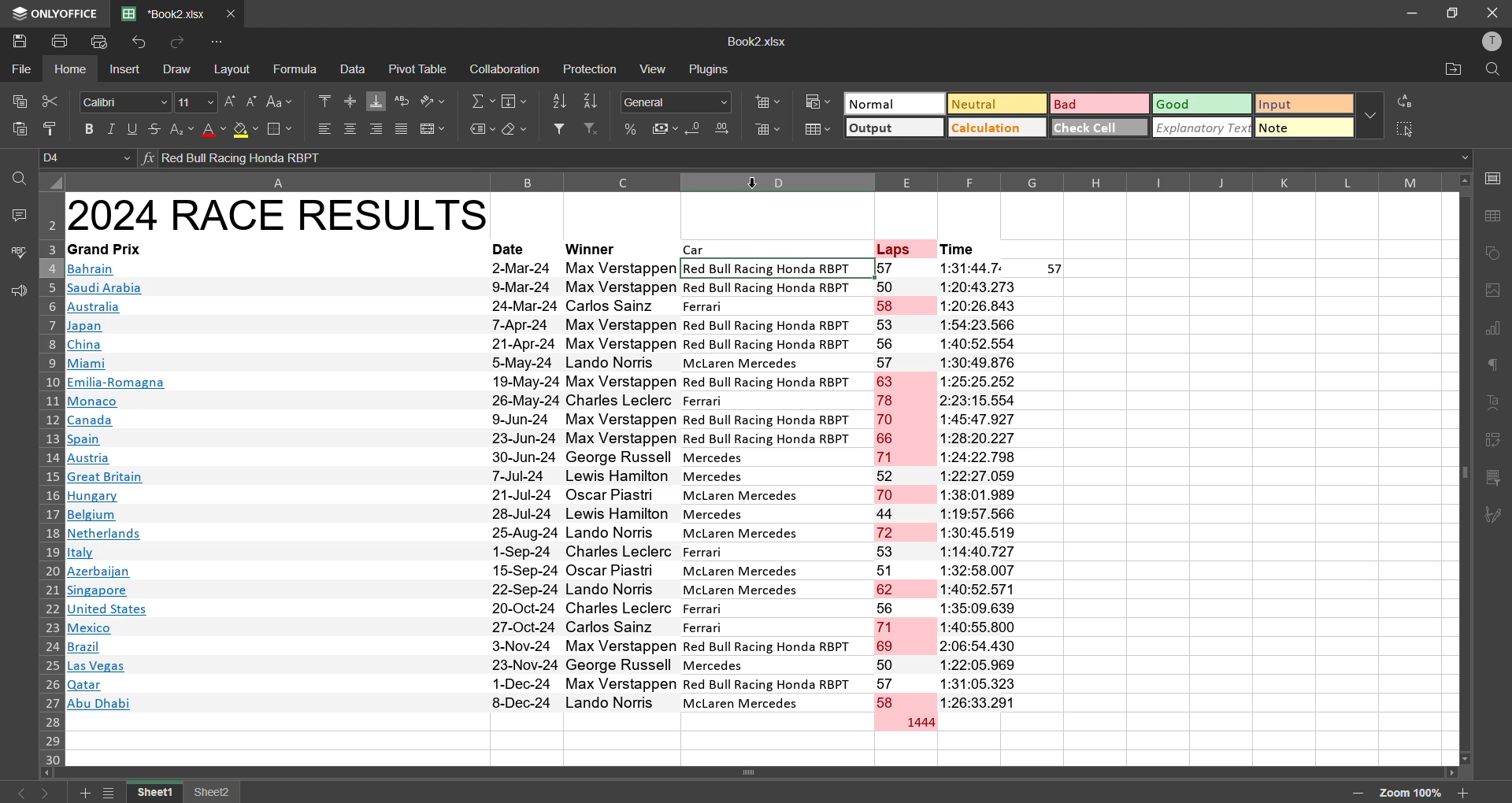  I want to click on formula, so click(298, 69).